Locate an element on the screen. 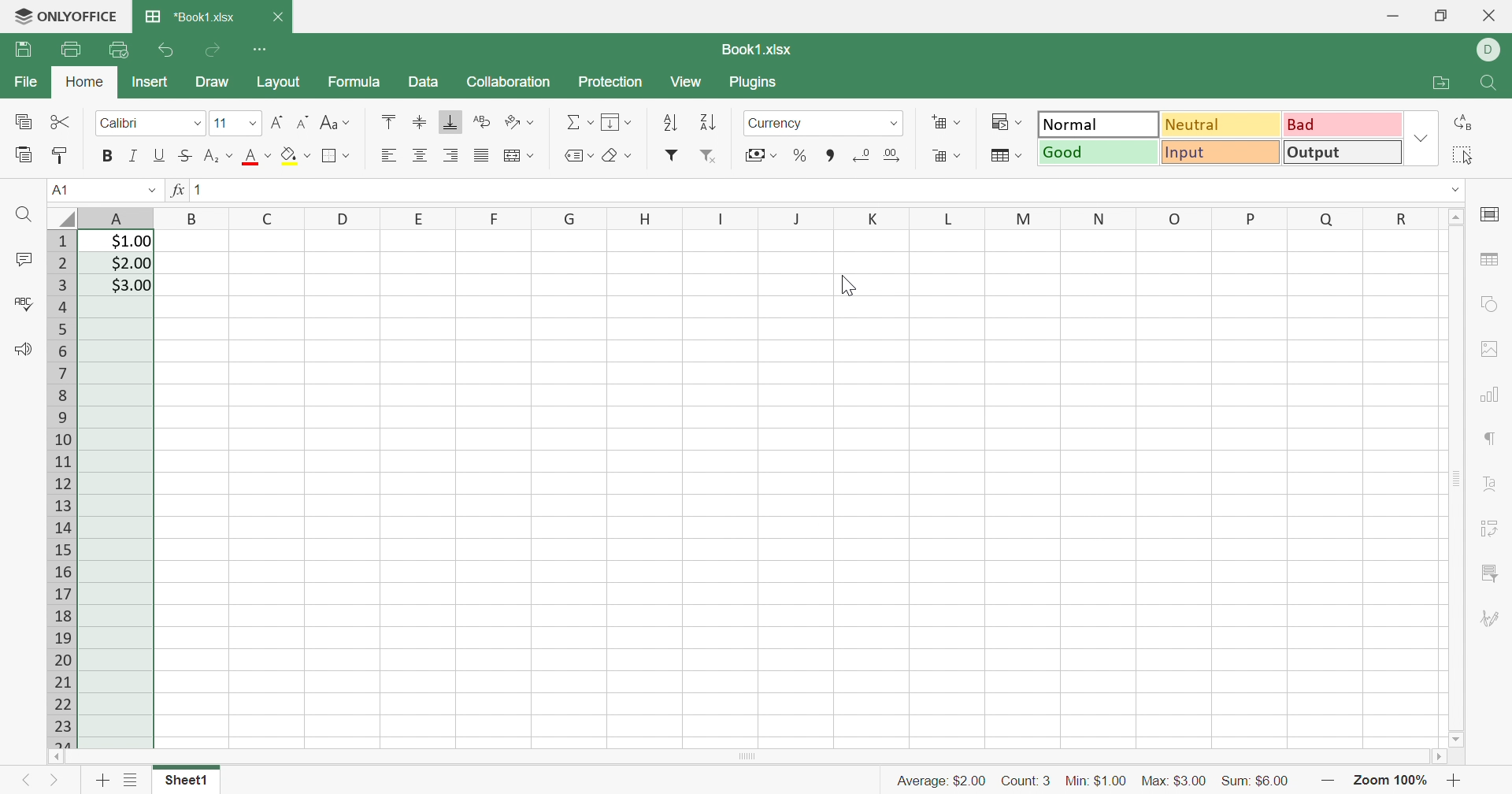 The height and width of the screenshot is (794, 1512). Sort descending is located at coordinates (707, 124).